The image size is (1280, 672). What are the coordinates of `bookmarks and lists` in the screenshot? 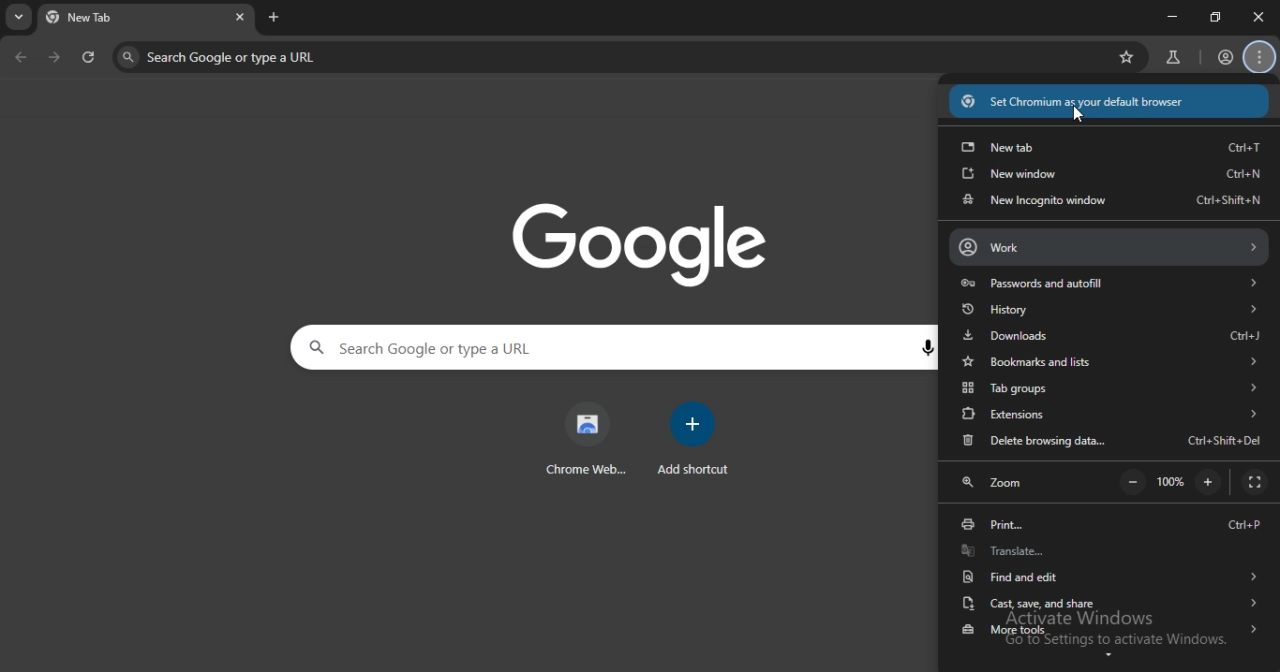 It's located at (1107, 360).